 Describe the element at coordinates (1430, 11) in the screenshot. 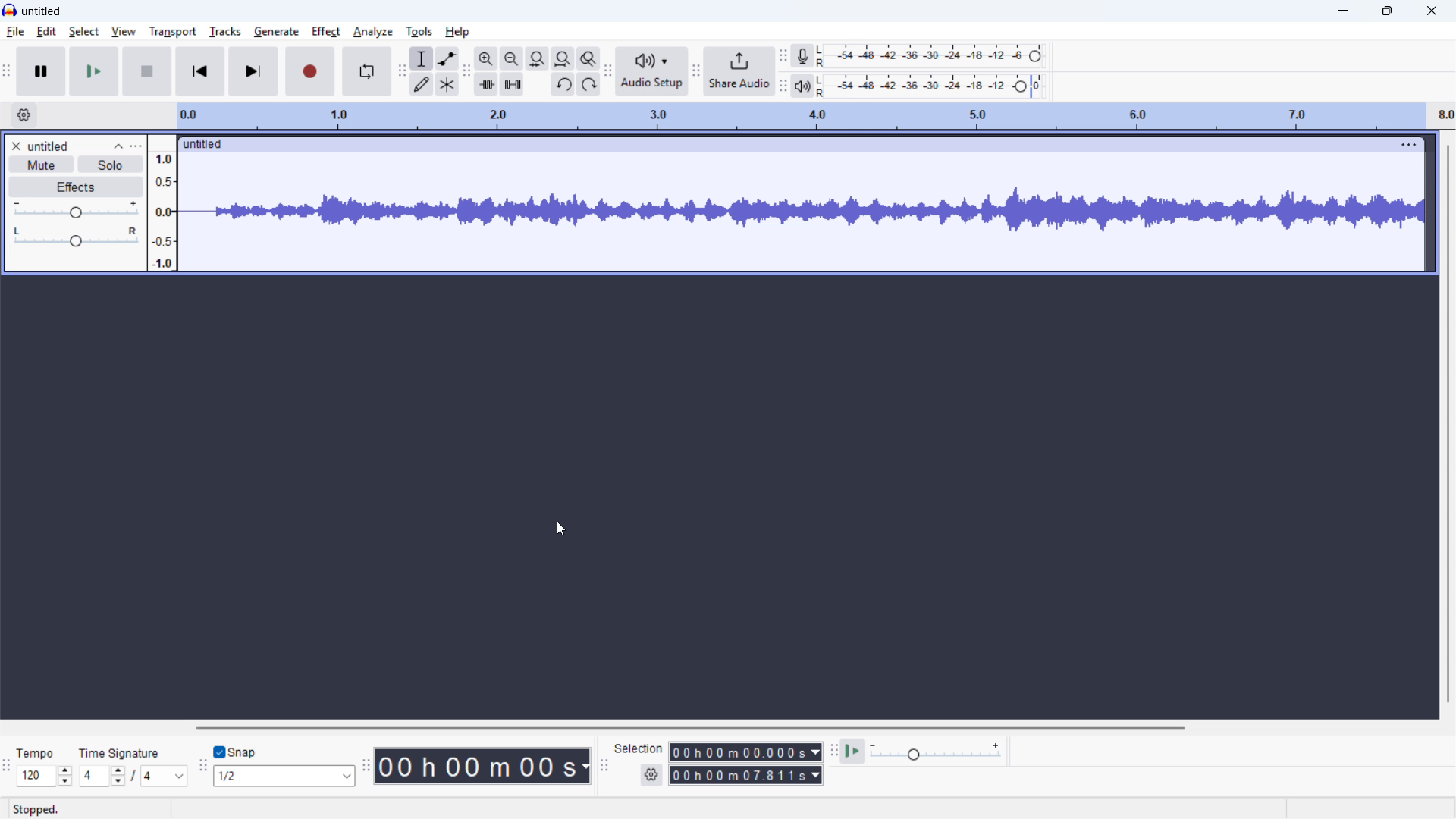

I see `close ` at that location.